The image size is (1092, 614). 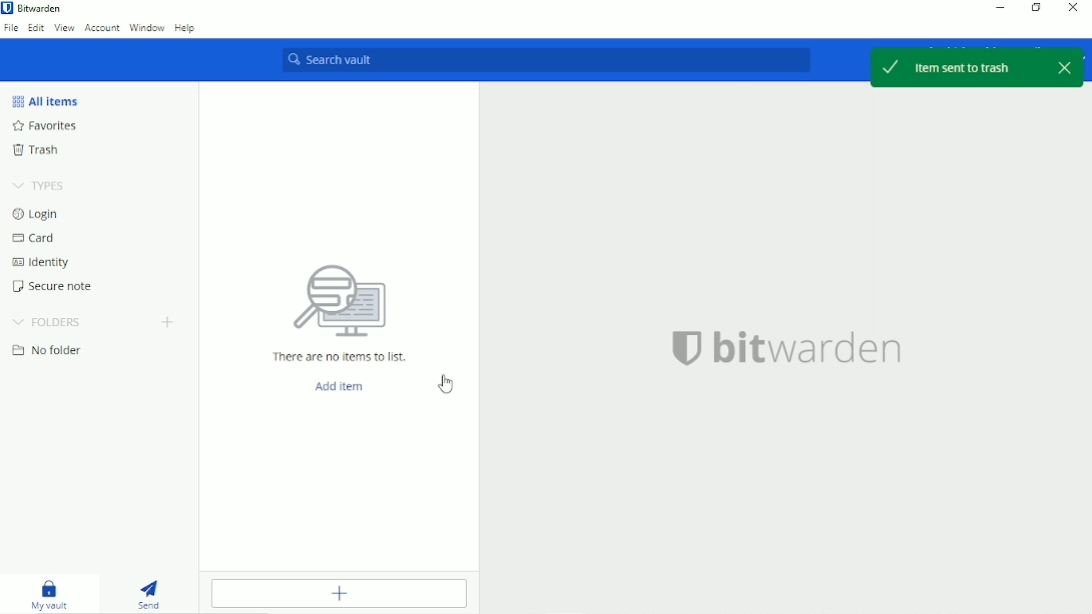 I want to click on Window, so click(x=147, y=28).